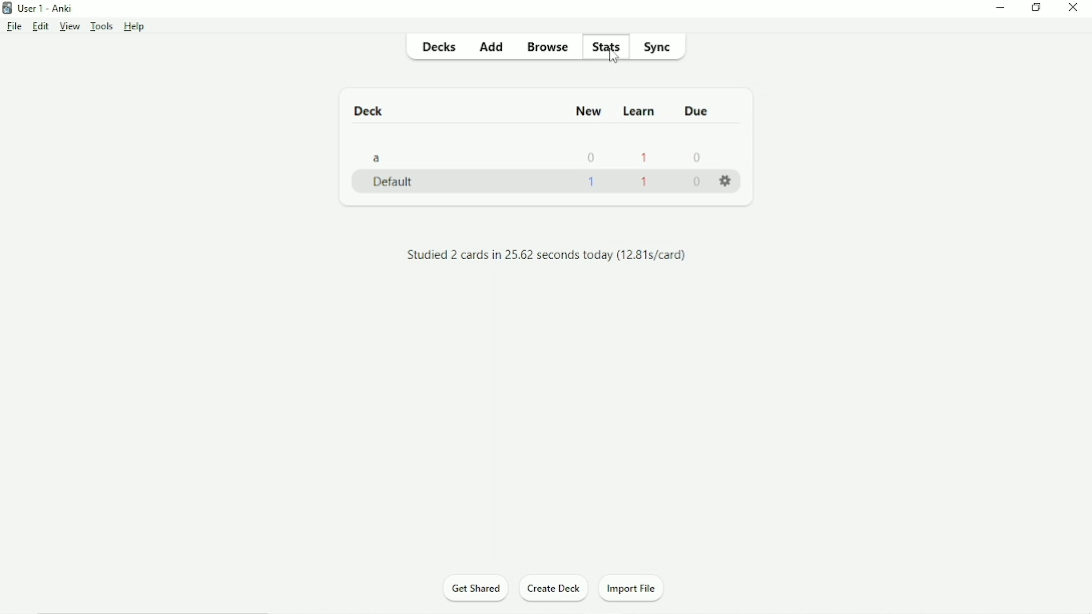 Image resolution: width=1092 pixels, height=614 pixels. What do you see at coordinates (539, 257) in the screenshot?
I see `Studied 2 cards in 25.62 seconds today (12.81s/card)` at bounding box center [539, 257].